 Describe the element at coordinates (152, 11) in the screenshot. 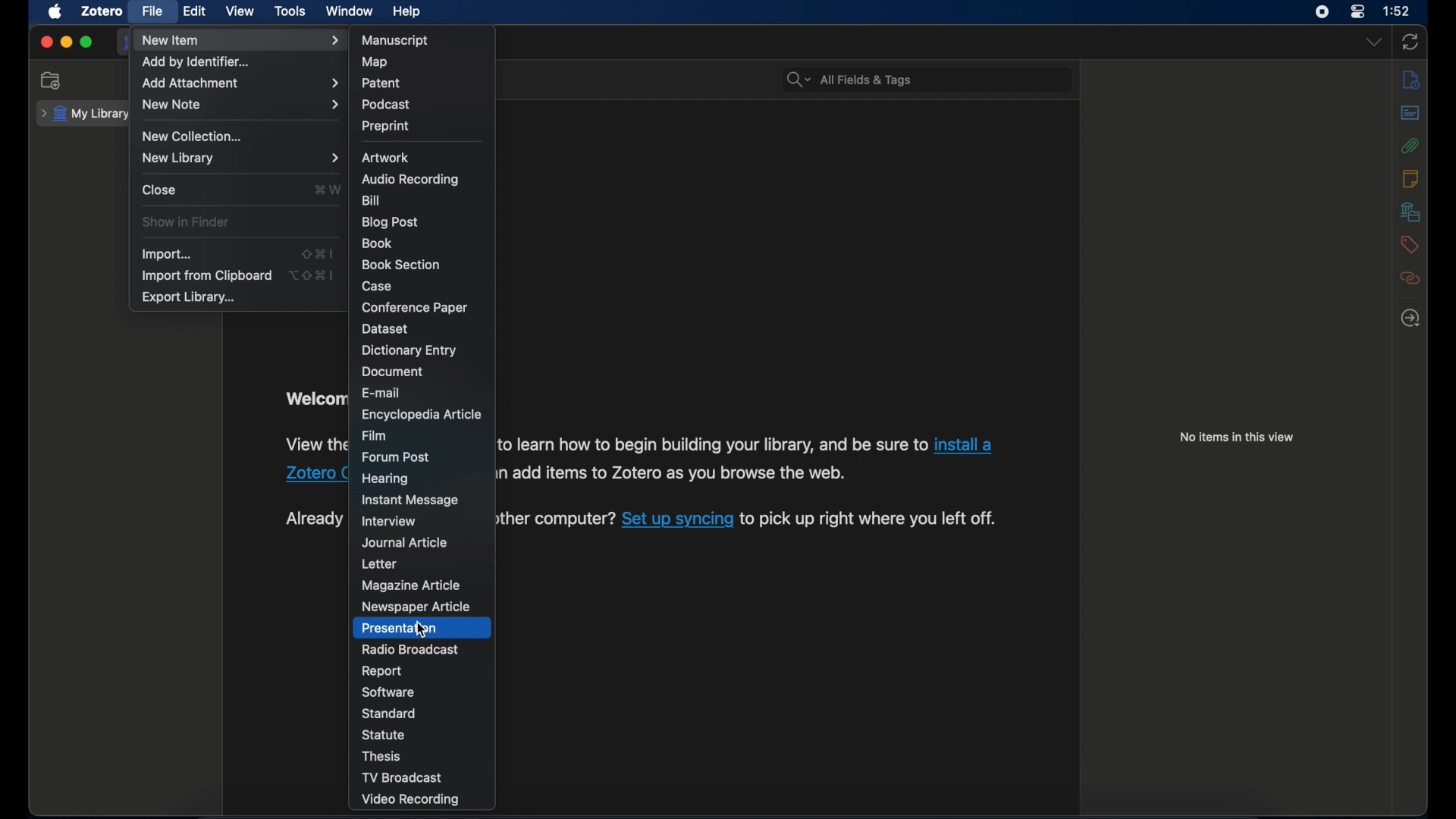

I see `file` at that location.